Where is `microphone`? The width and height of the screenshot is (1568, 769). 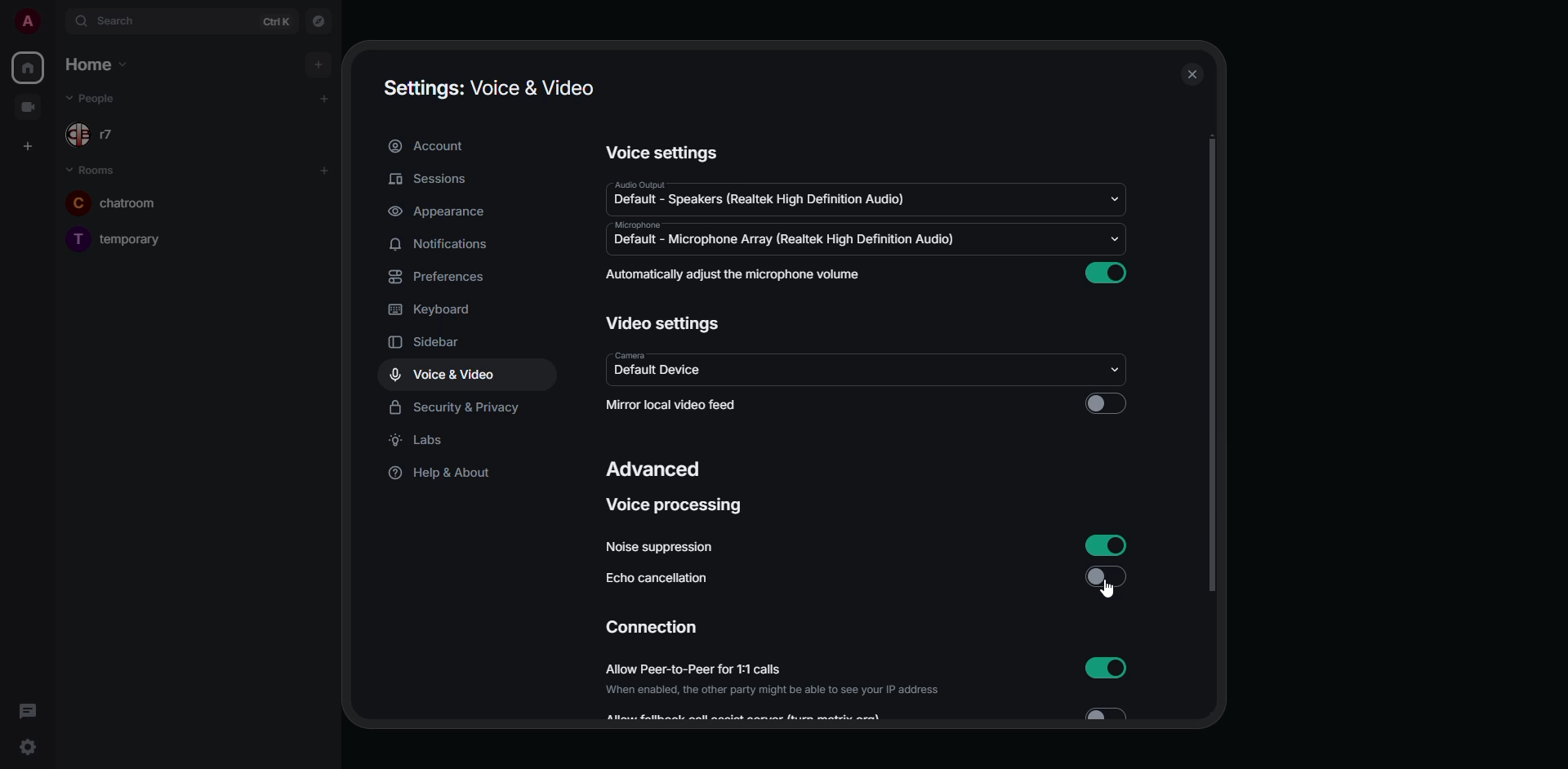
microphone is located at coordinates (637, 224).